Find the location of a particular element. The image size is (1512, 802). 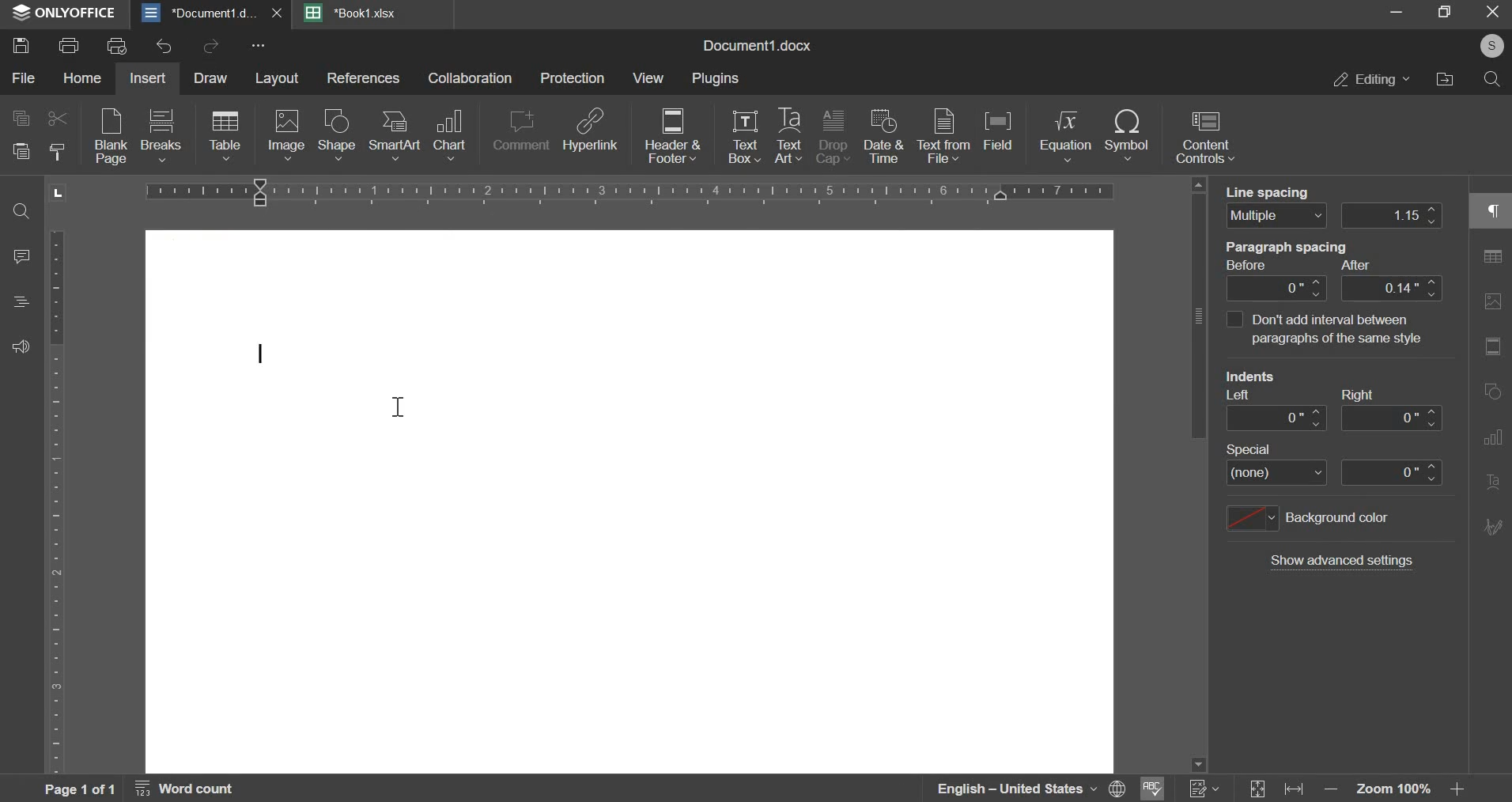

document name is located at coordinates (756, 45).